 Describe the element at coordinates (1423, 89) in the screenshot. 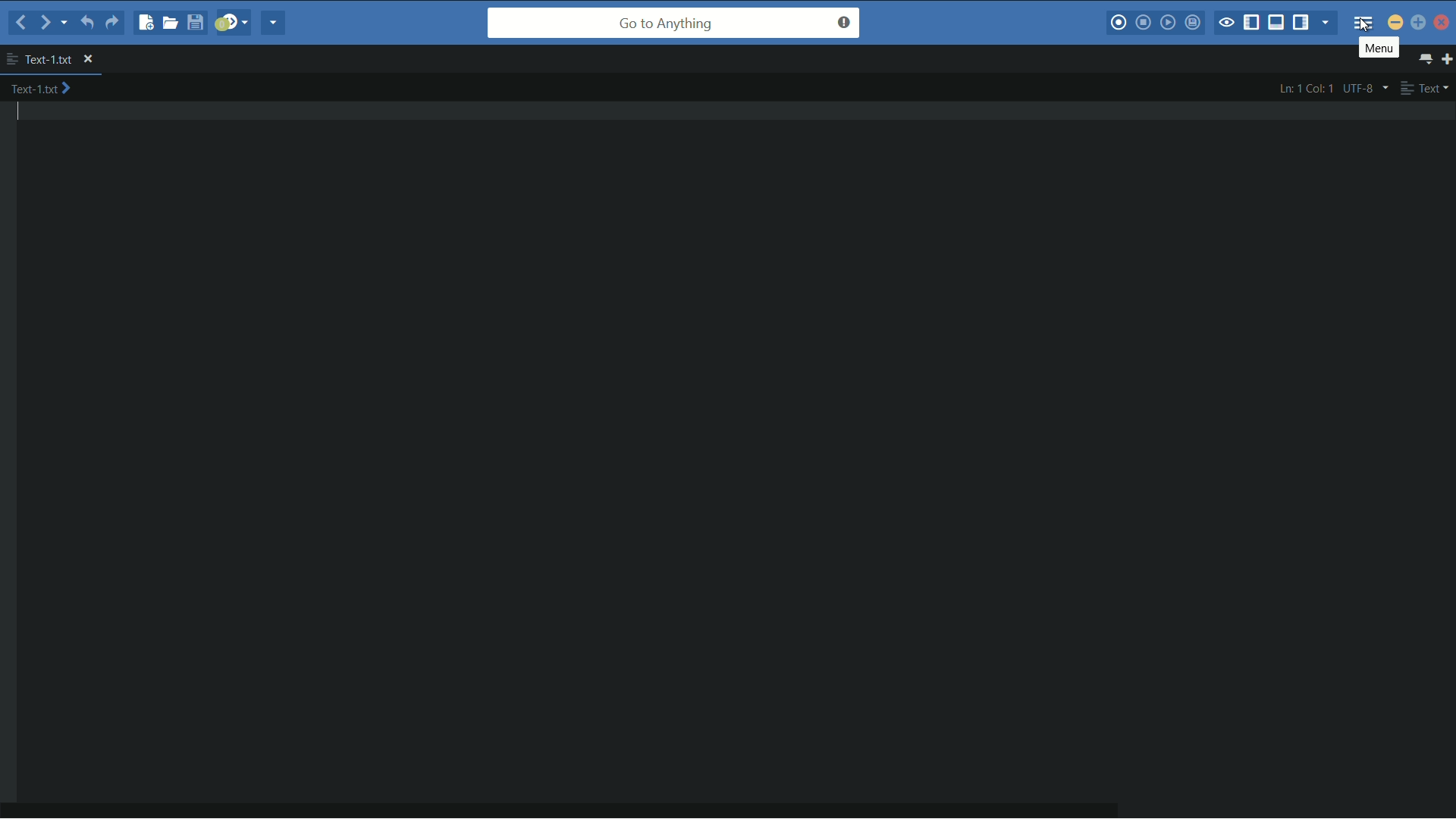

I see `text` at that location.